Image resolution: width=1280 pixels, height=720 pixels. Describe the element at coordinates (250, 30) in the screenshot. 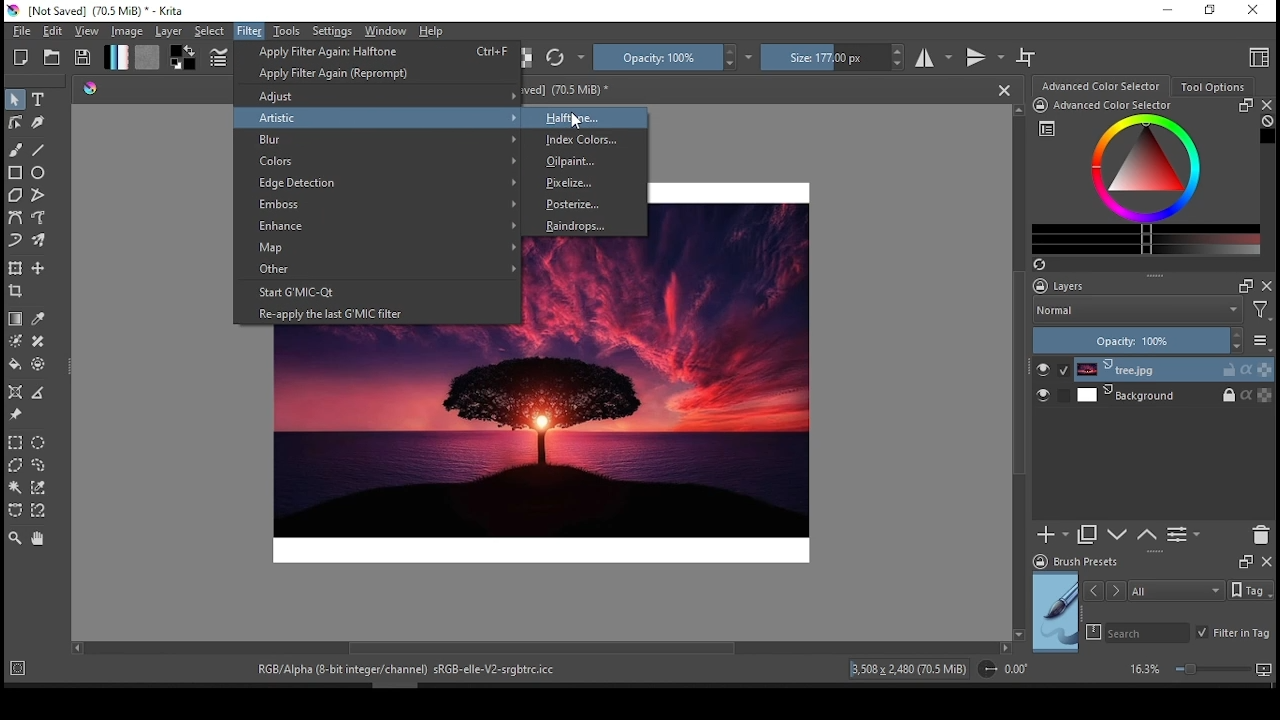

I see `filter` at that location.